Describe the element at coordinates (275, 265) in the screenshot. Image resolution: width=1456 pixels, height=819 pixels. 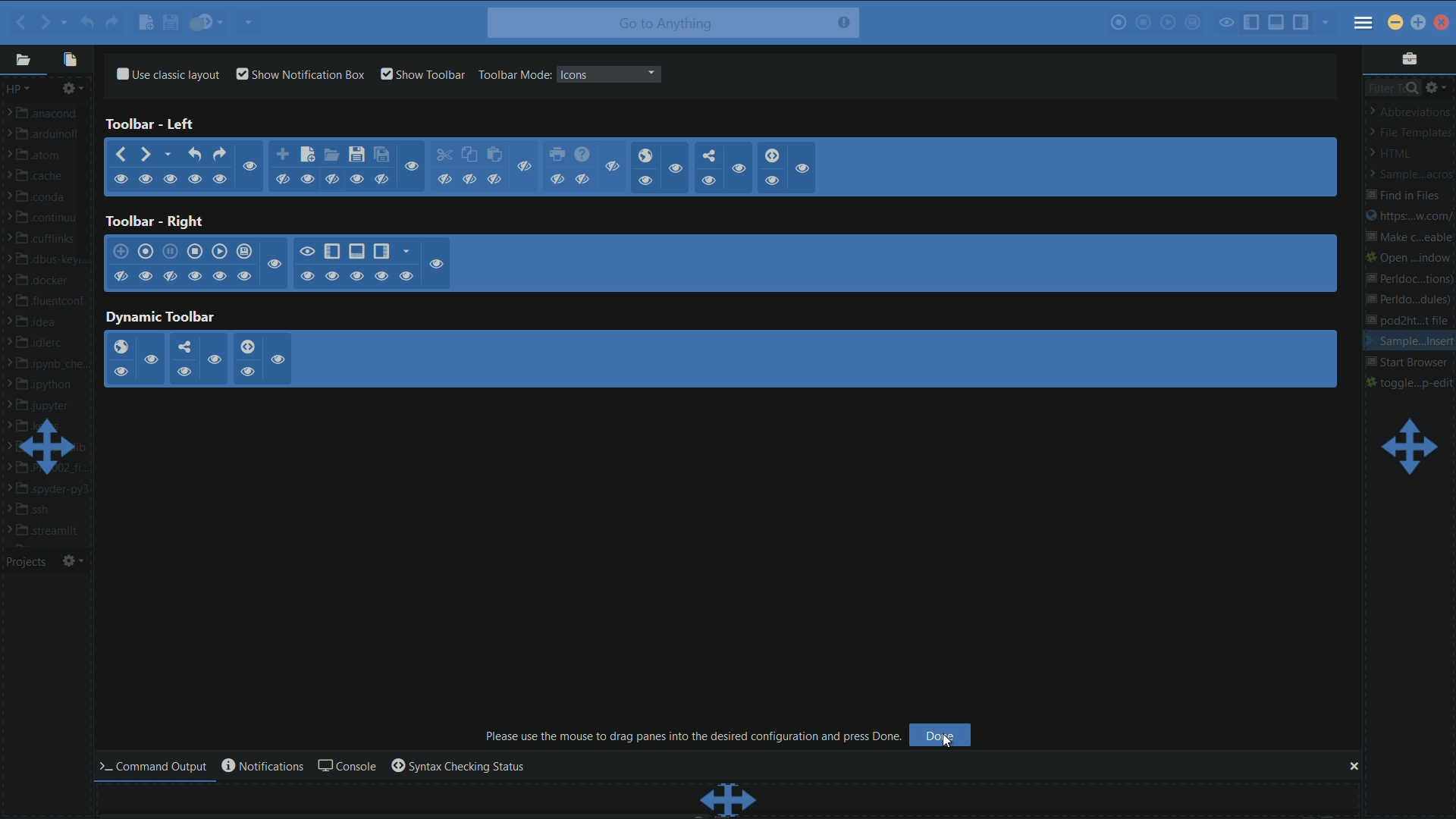
I see `hide/show` at that location.